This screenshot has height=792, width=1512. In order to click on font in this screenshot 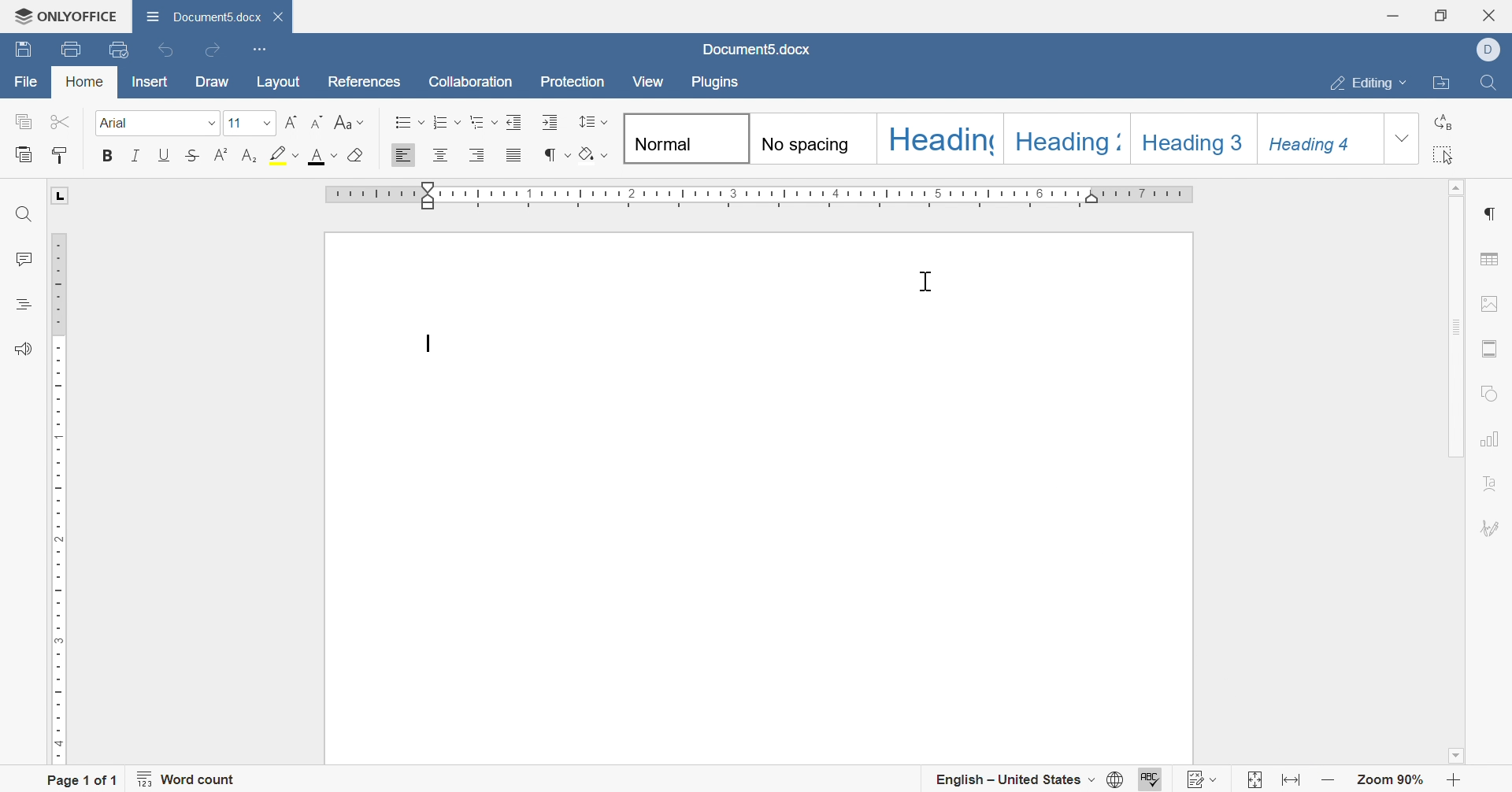, I will do `click(161, 124)`.